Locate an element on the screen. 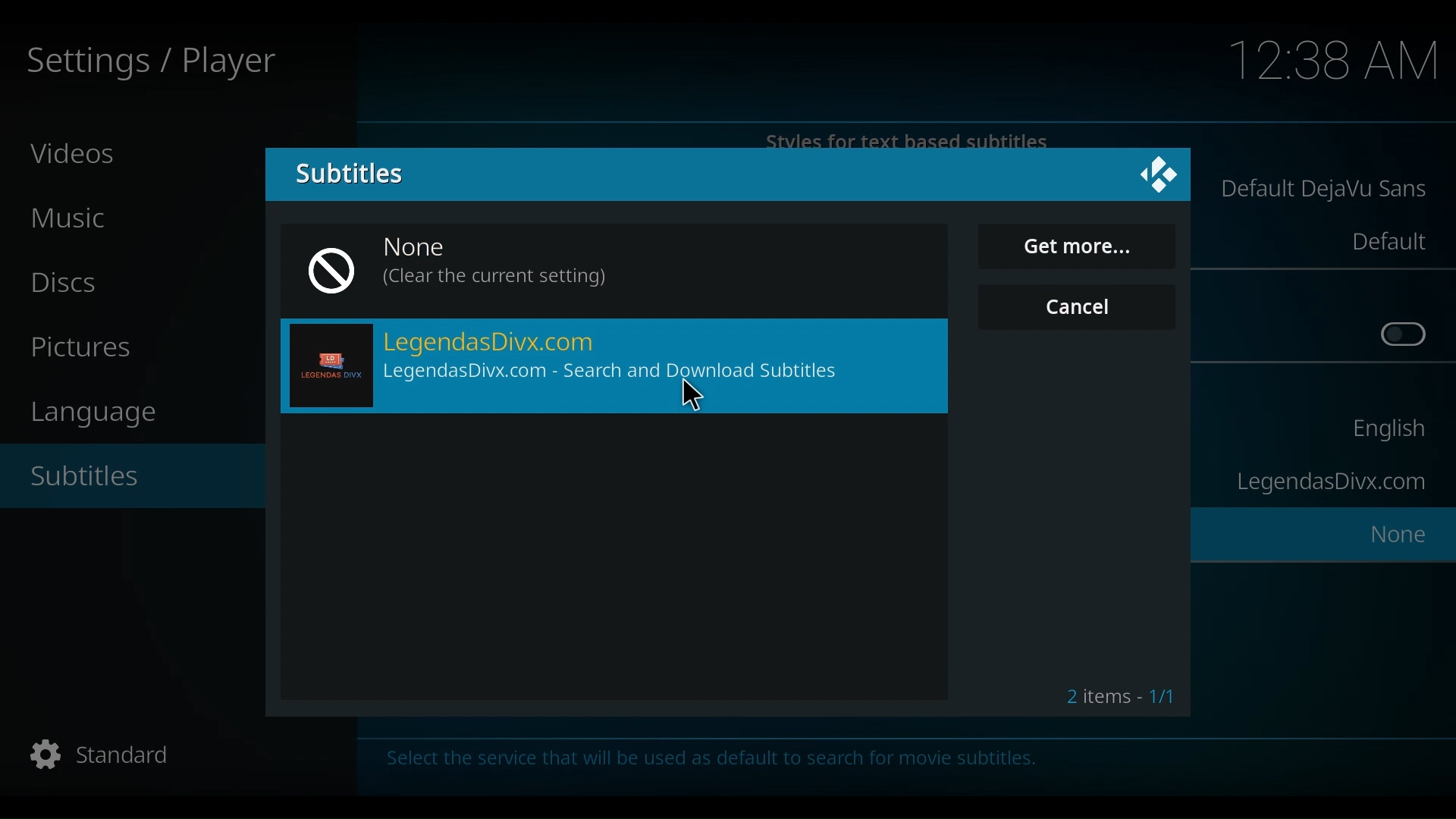 This screenshot has height=819, width=1456. Subtitles is located at coordinates (104, 476).